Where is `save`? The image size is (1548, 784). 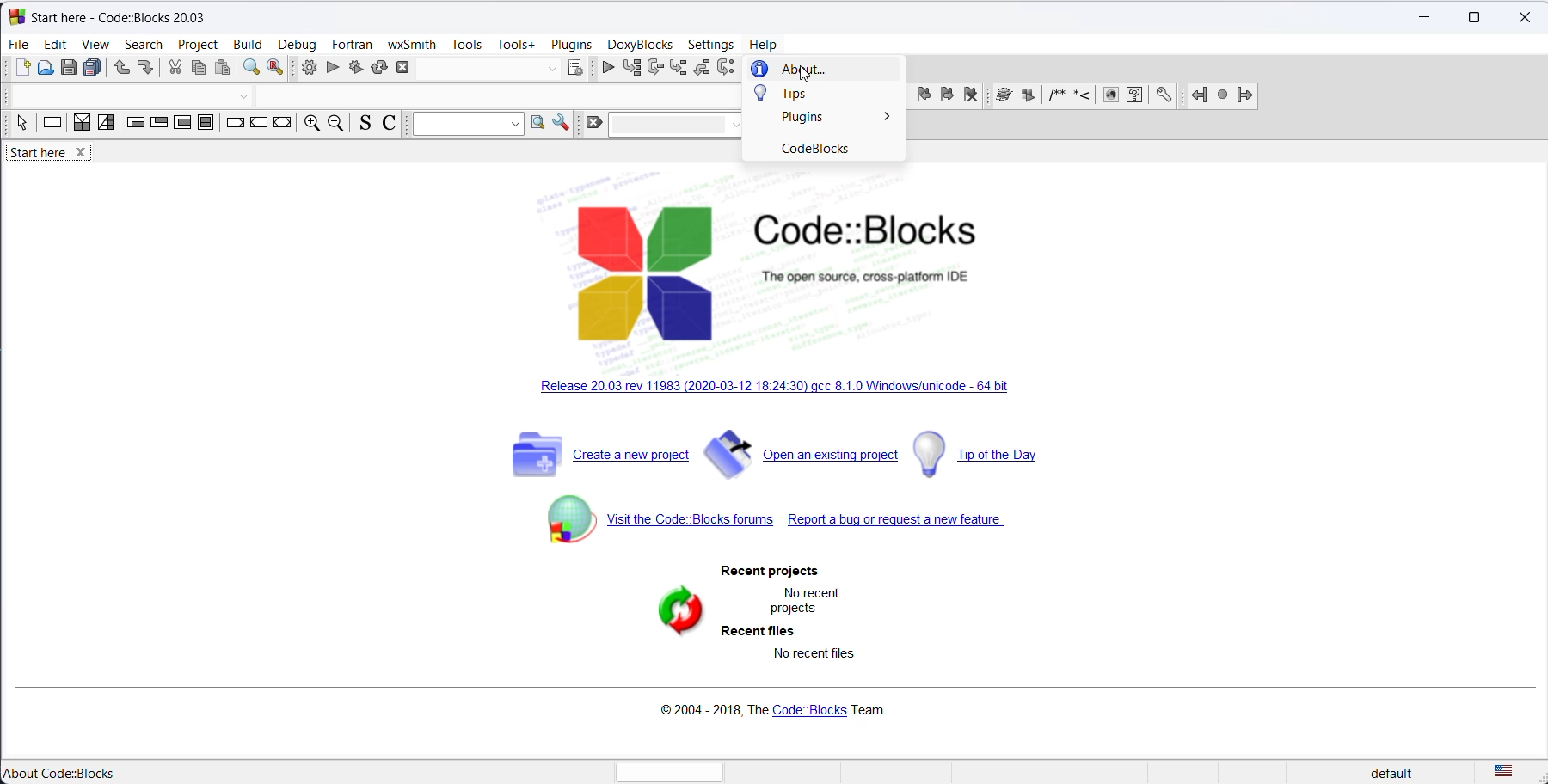 save is located at coordinates (68, 69).